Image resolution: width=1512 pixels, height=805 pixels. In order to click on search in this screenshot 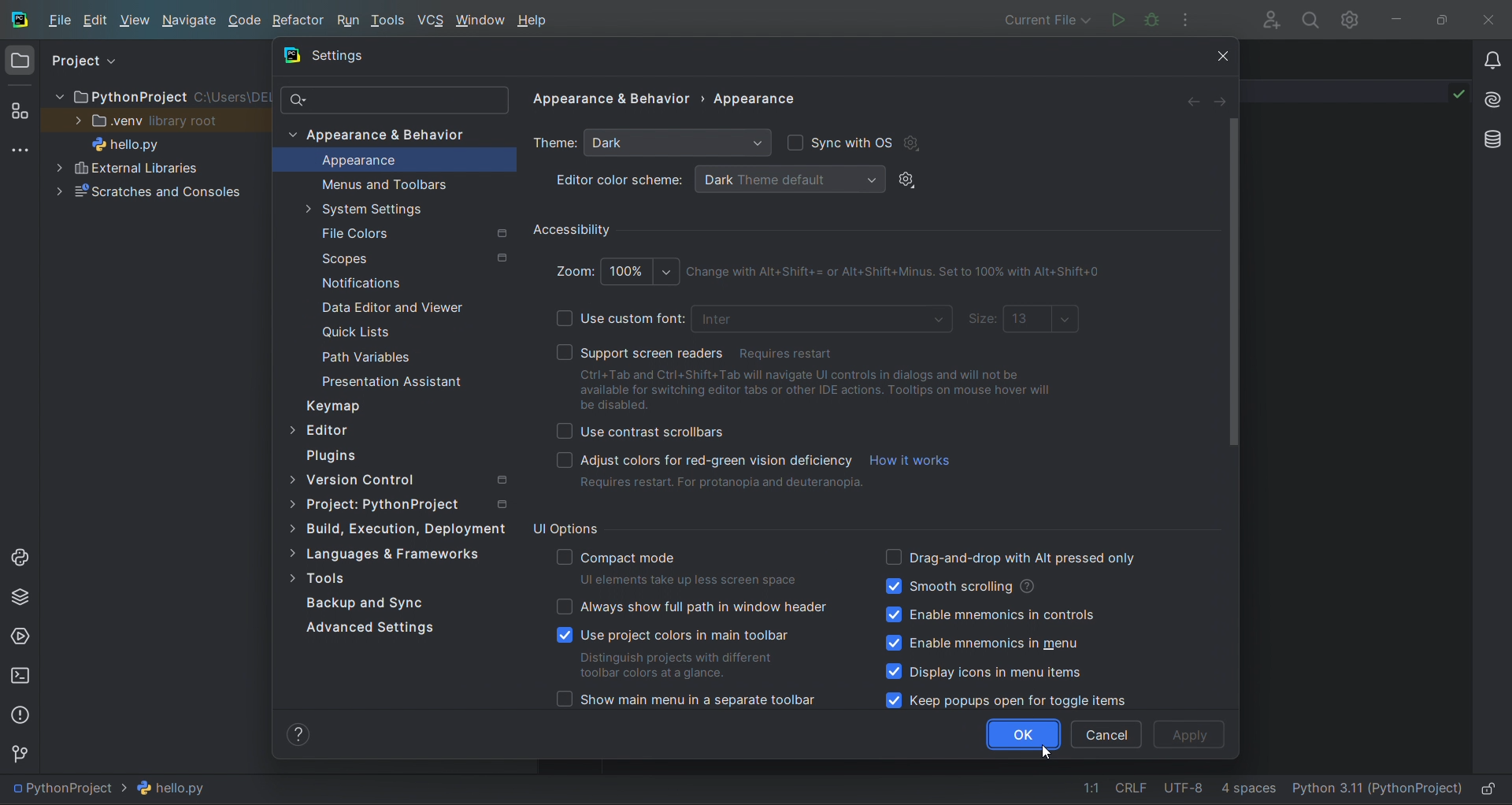, I will do `click(1307, 20)`.